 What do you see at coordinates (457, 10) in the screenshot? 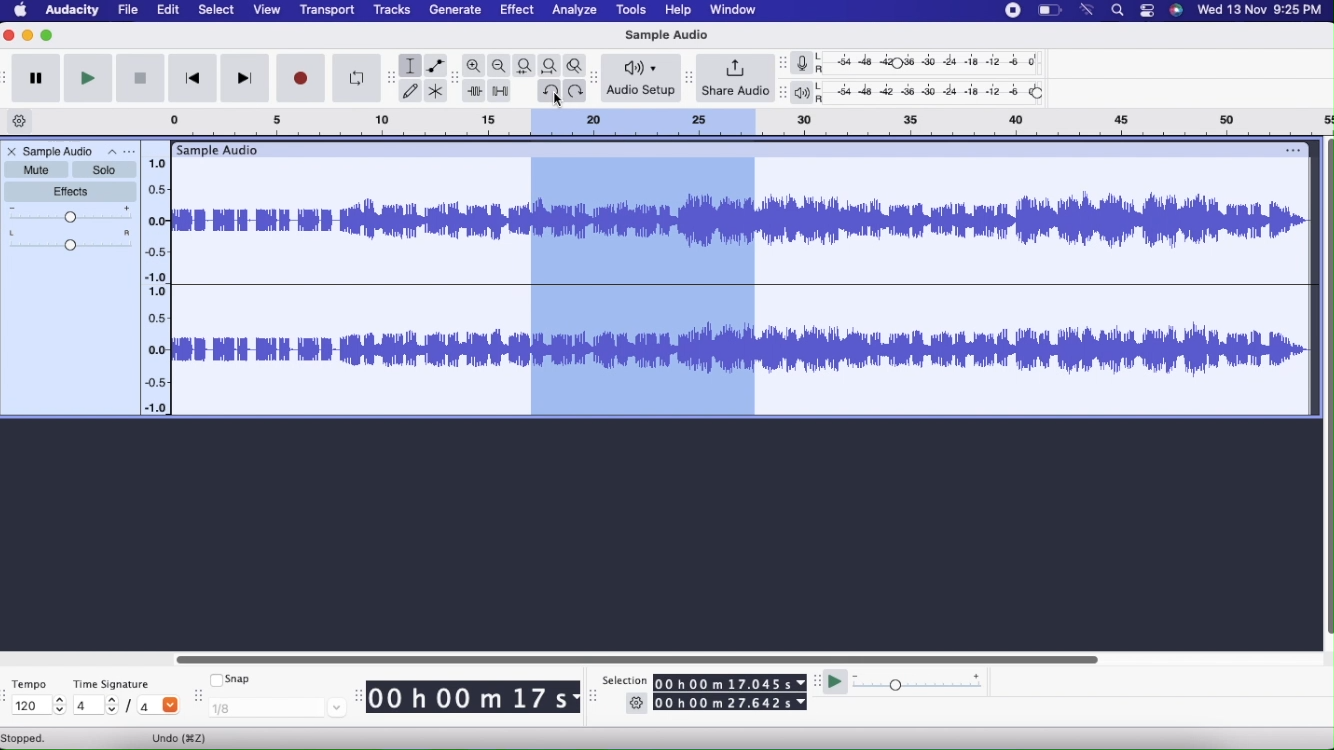
I see `Generate` at bounding box center [457, 10].